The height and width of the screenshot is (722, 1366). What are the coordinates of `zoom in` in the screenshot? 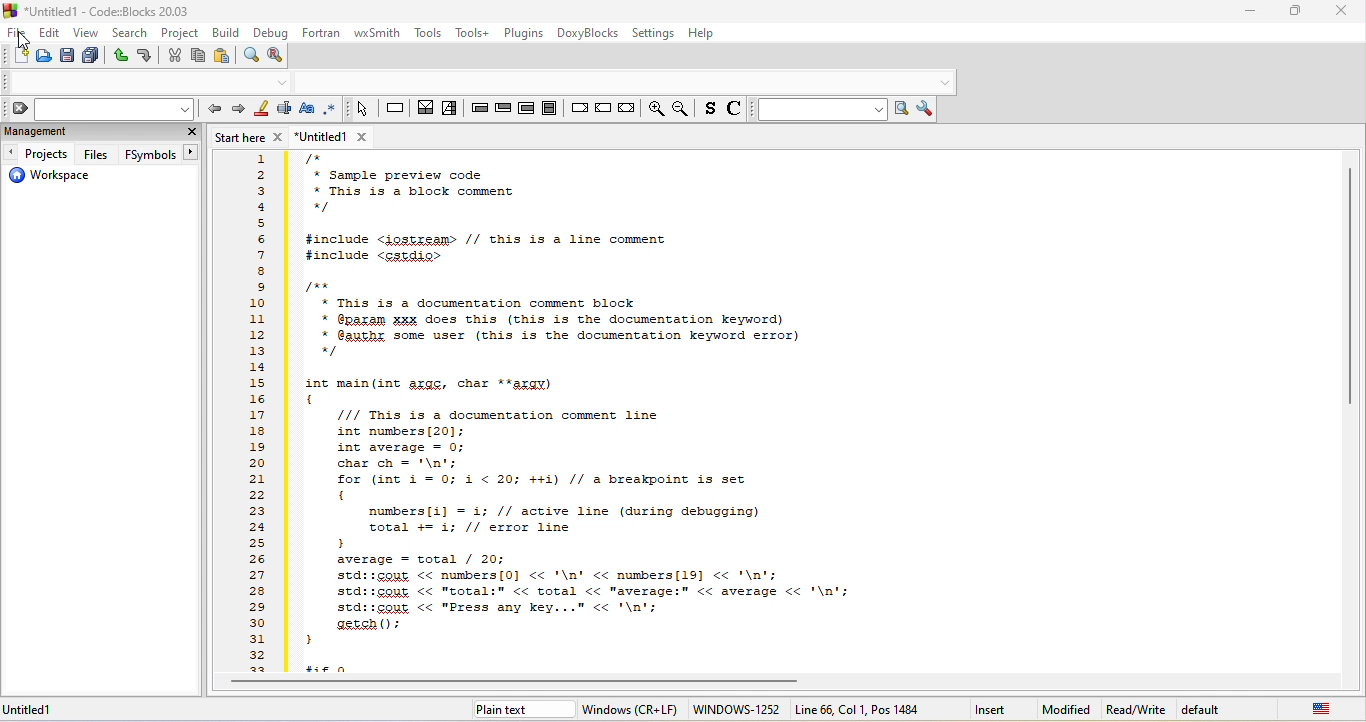 It's located at (655, 108).